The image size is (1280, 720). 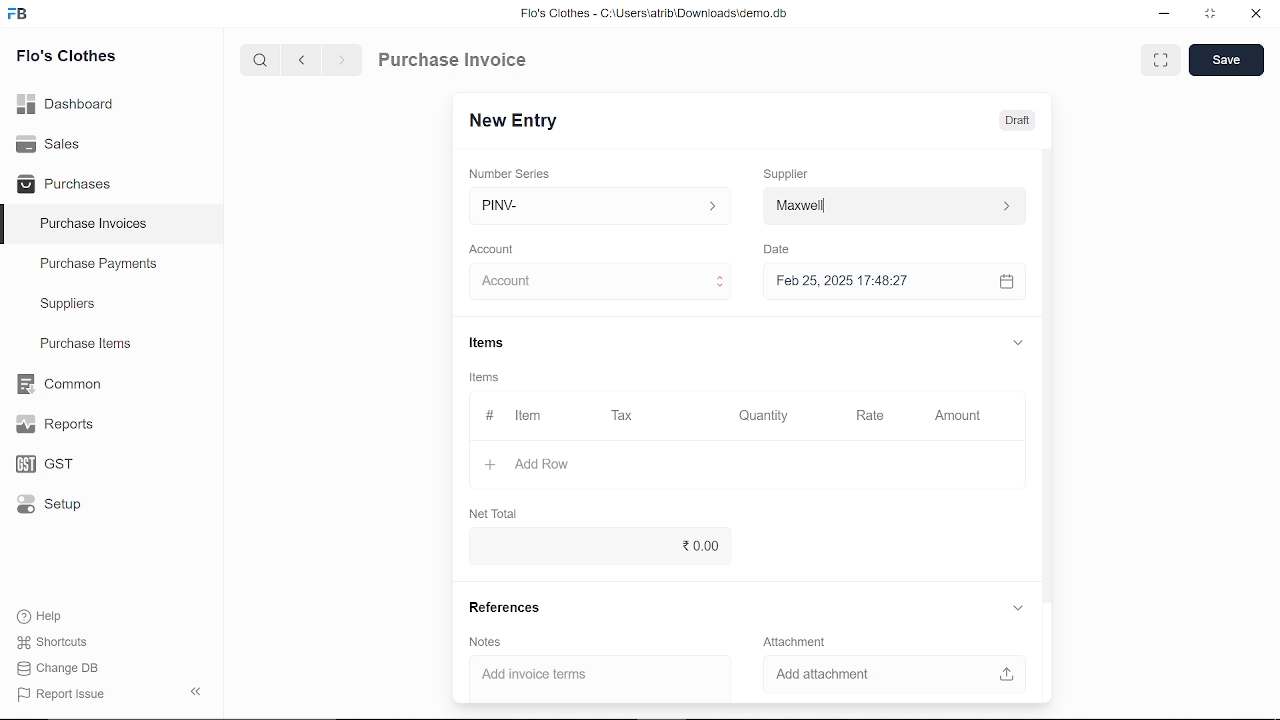 What do you see at coordinates (782, 250) in the screenshot?
I see `Date` at bounding box center [782, 250].